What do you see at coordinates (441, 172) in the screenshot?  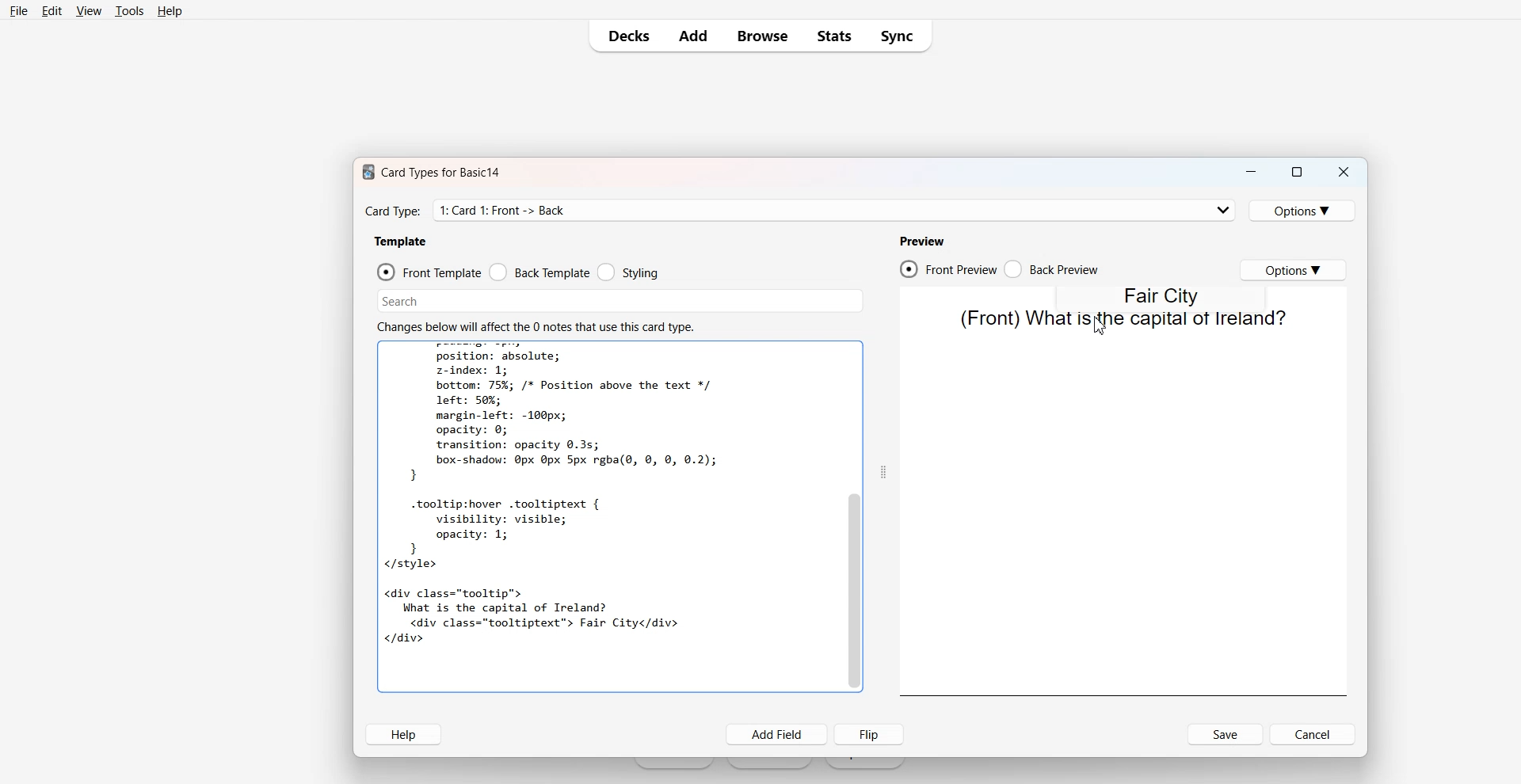 I see `Text` at bounding box center [441, 172].